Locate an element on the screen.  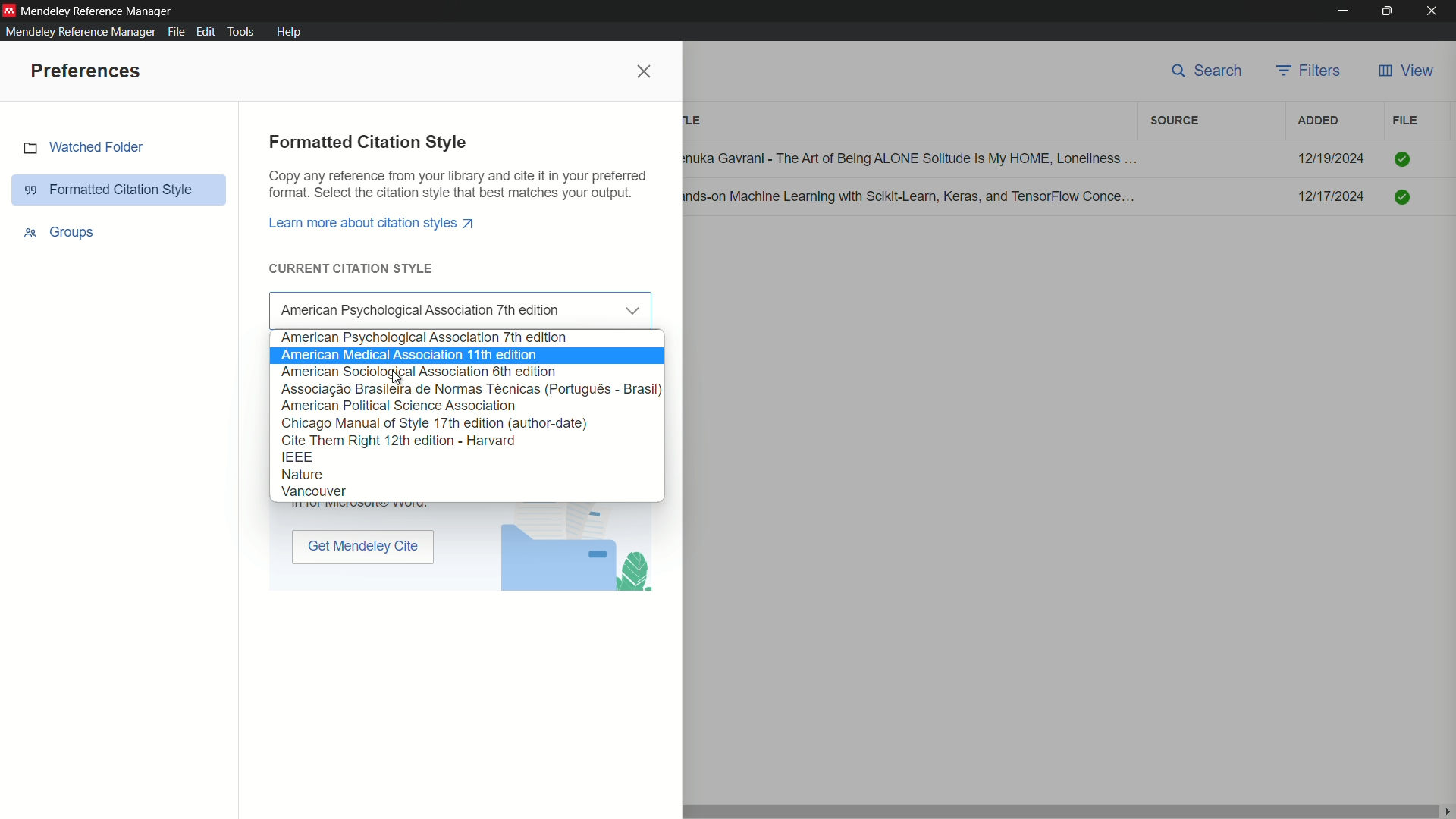
file menu is located at coordinates (177, 33).